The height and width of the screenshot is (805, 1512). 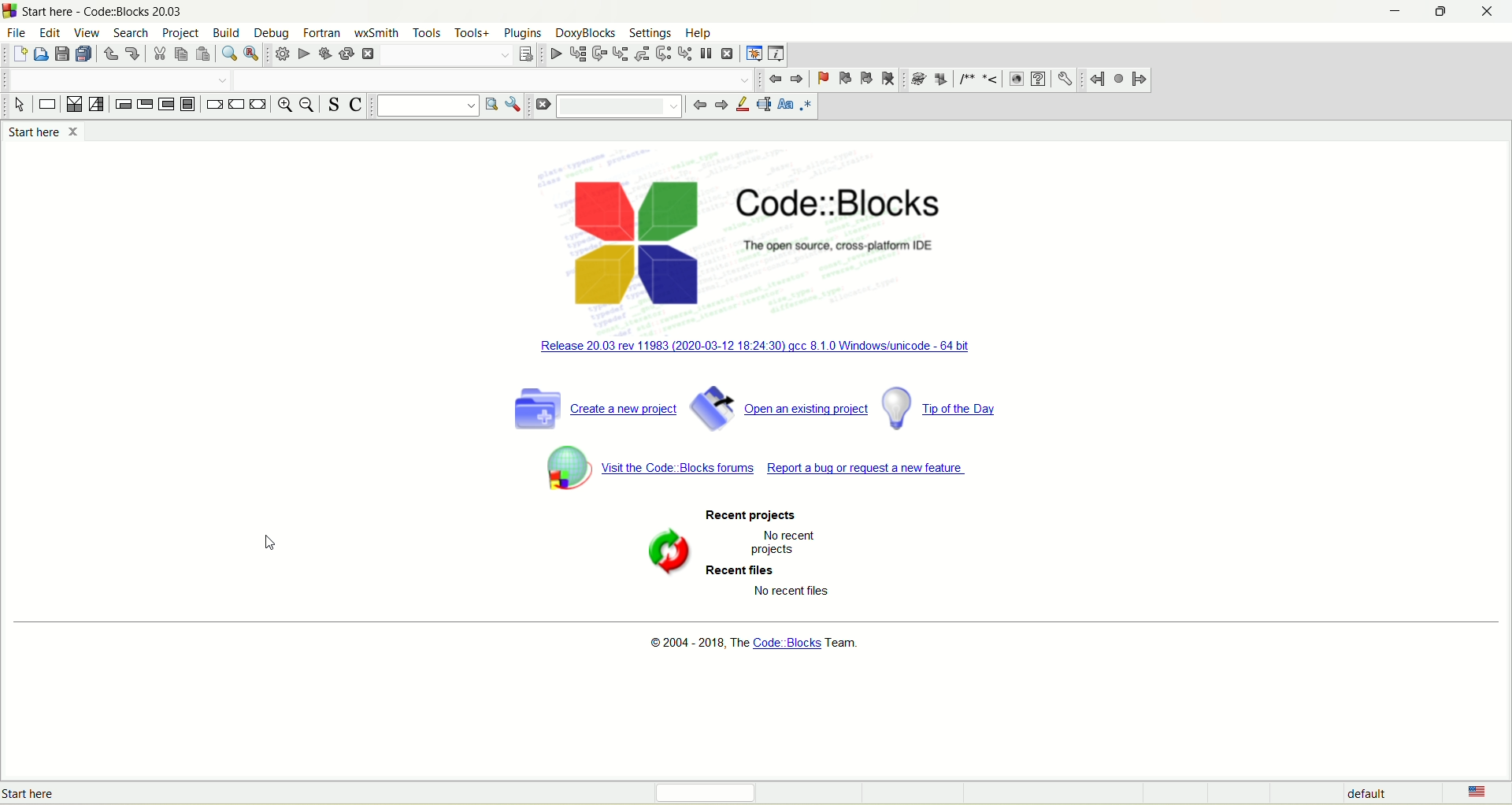 What do you see at coordinates (782, 403) in the screenshot?
I see `open a project` at bounding box center [782, 403].